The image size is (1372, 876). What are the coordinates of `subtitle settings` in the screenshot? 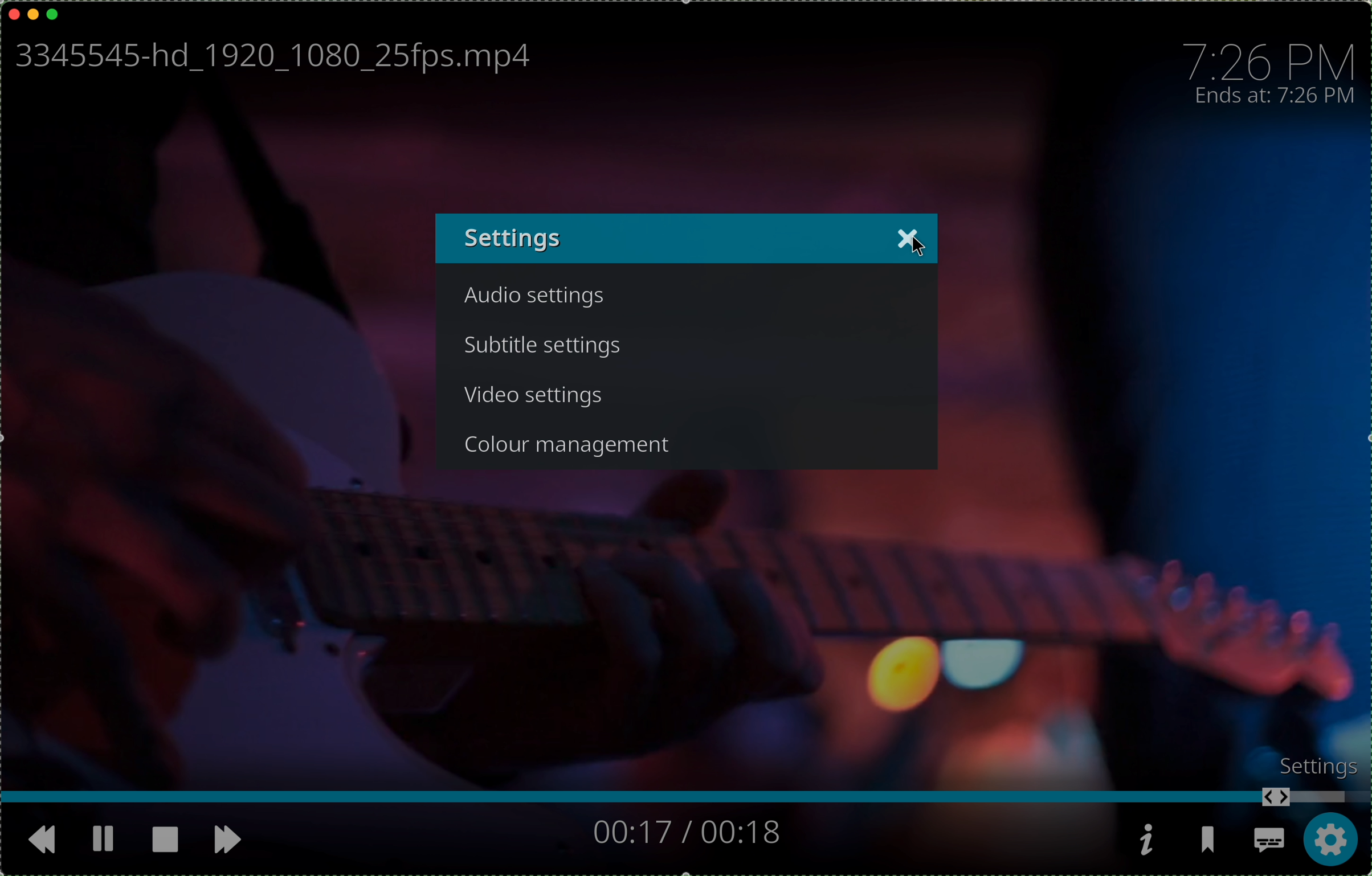 It's located at (546, 346).